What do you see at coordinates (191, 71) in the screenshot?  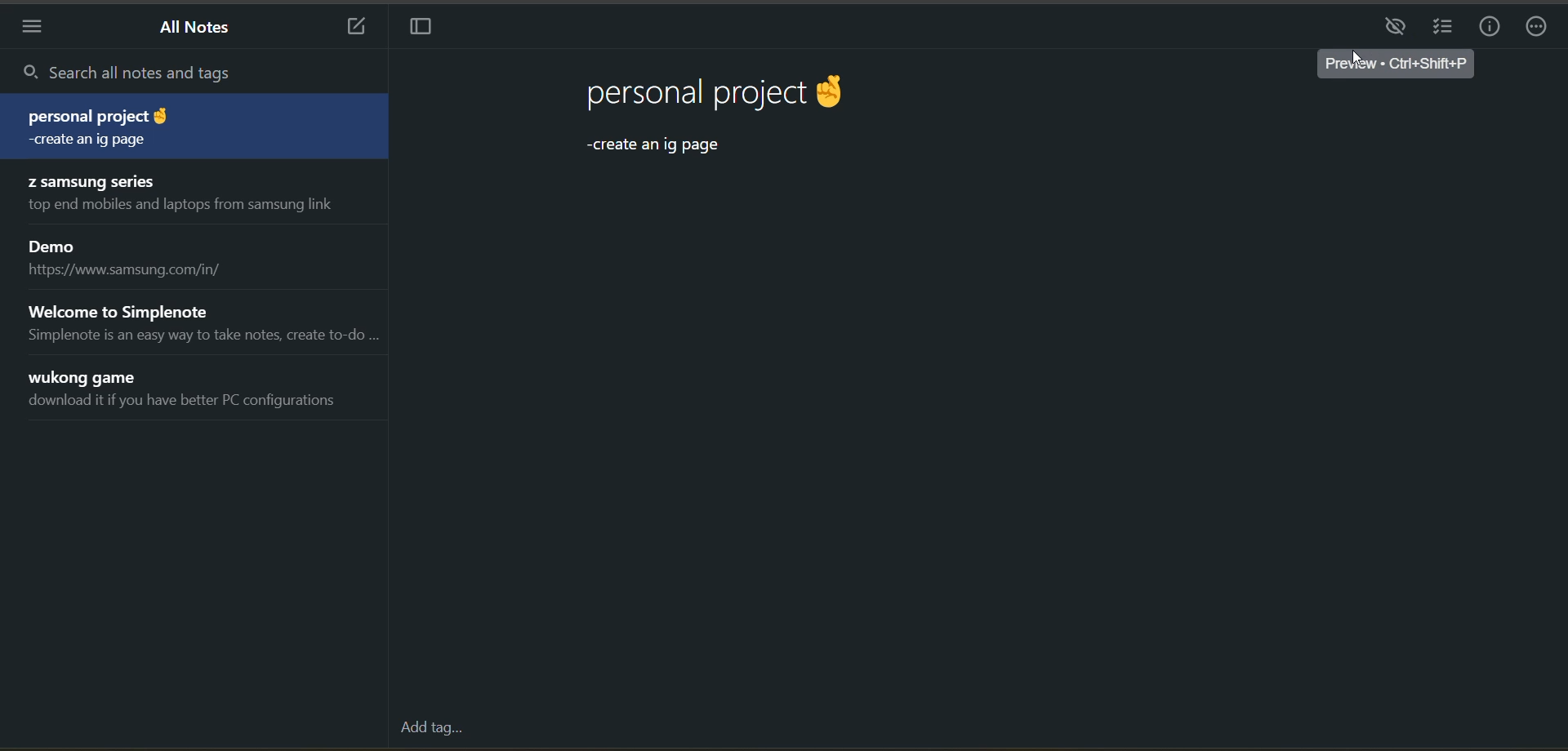 I see `search` at bounding box center [191, 71].